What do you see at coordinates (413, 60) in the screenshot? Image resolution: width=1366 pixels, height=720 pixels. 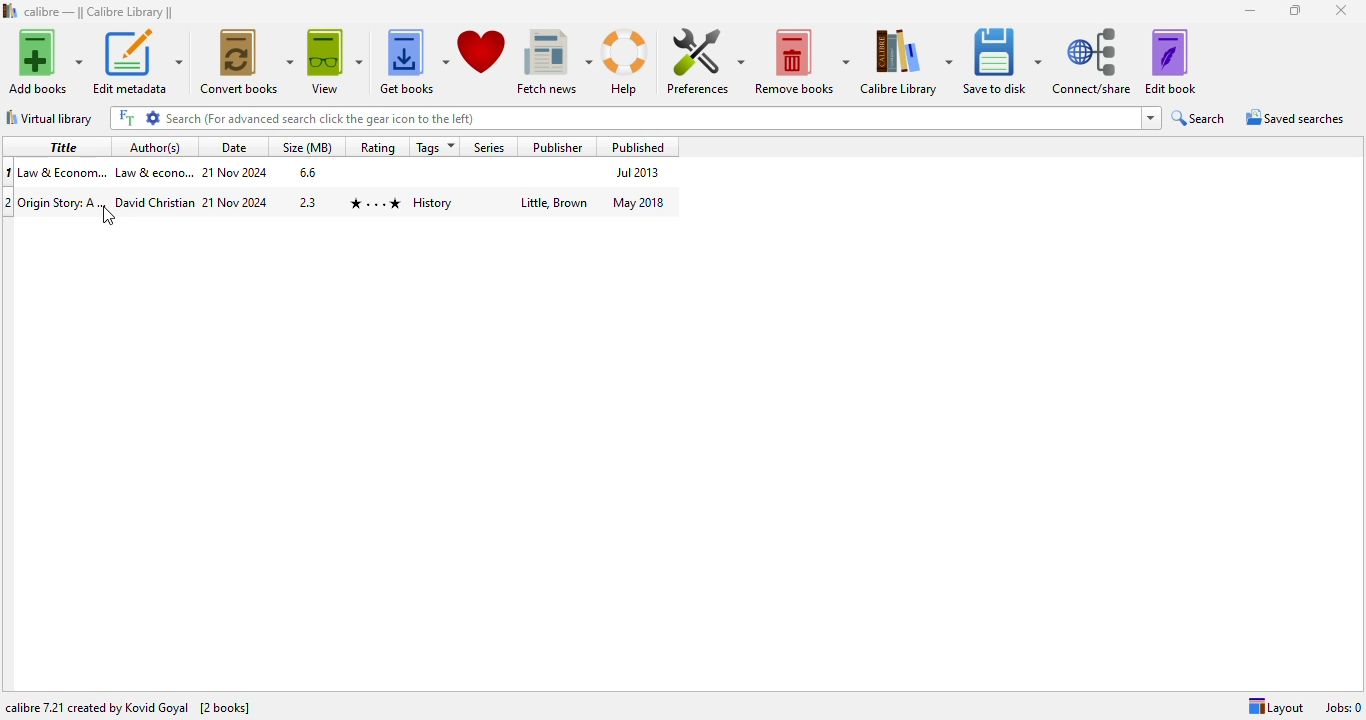 I see `get books` at bounding box center [413, 60].